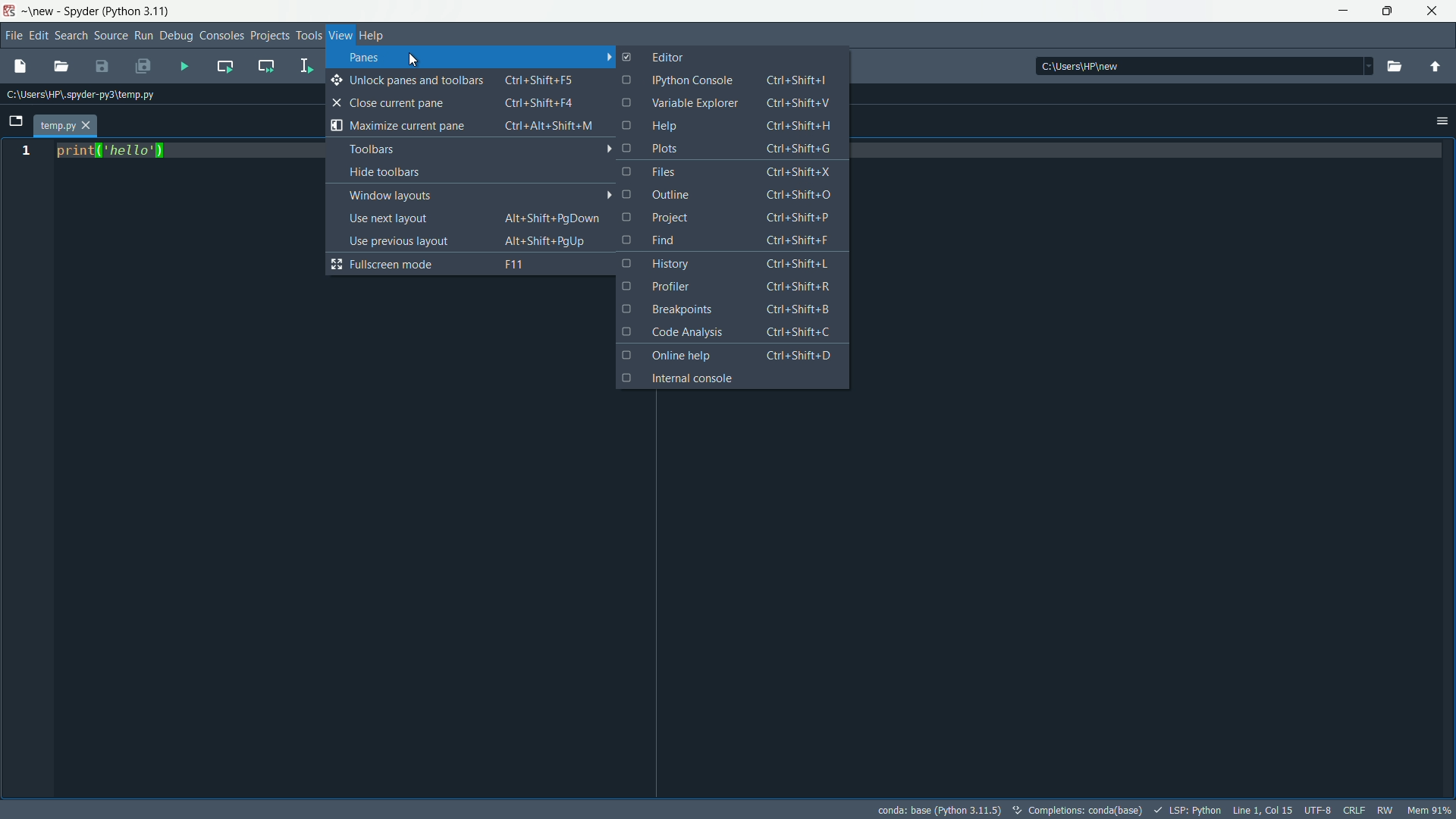 Image resolution: width=1456 pixels, height=819 pixels. What do you see at coordinates (724, 125) in the screenshot?
I see `help` at bounding box center [724, 125].